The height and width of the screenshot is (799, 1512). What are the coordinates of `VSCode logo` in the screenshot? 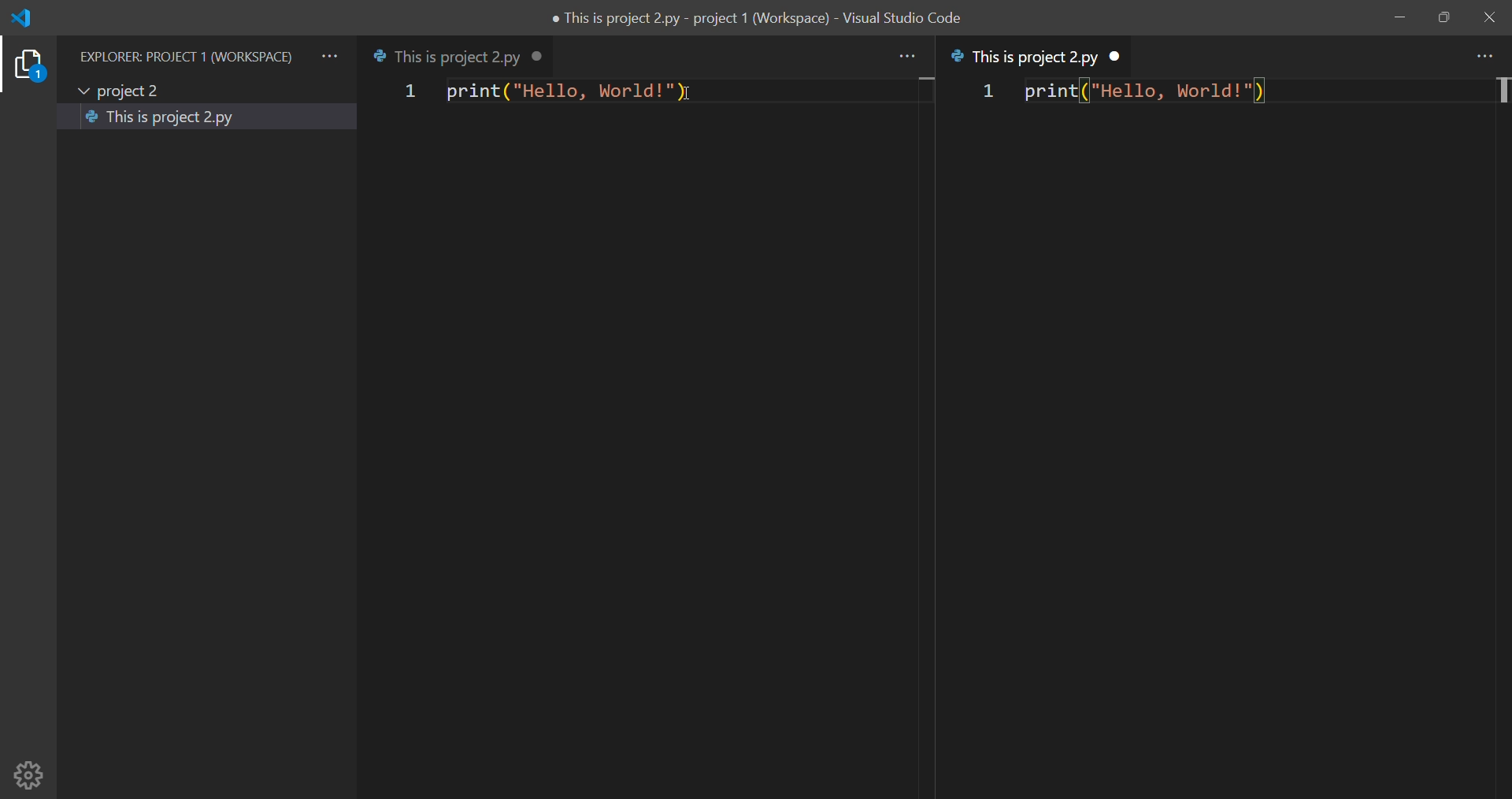 It's located at (30, 18).